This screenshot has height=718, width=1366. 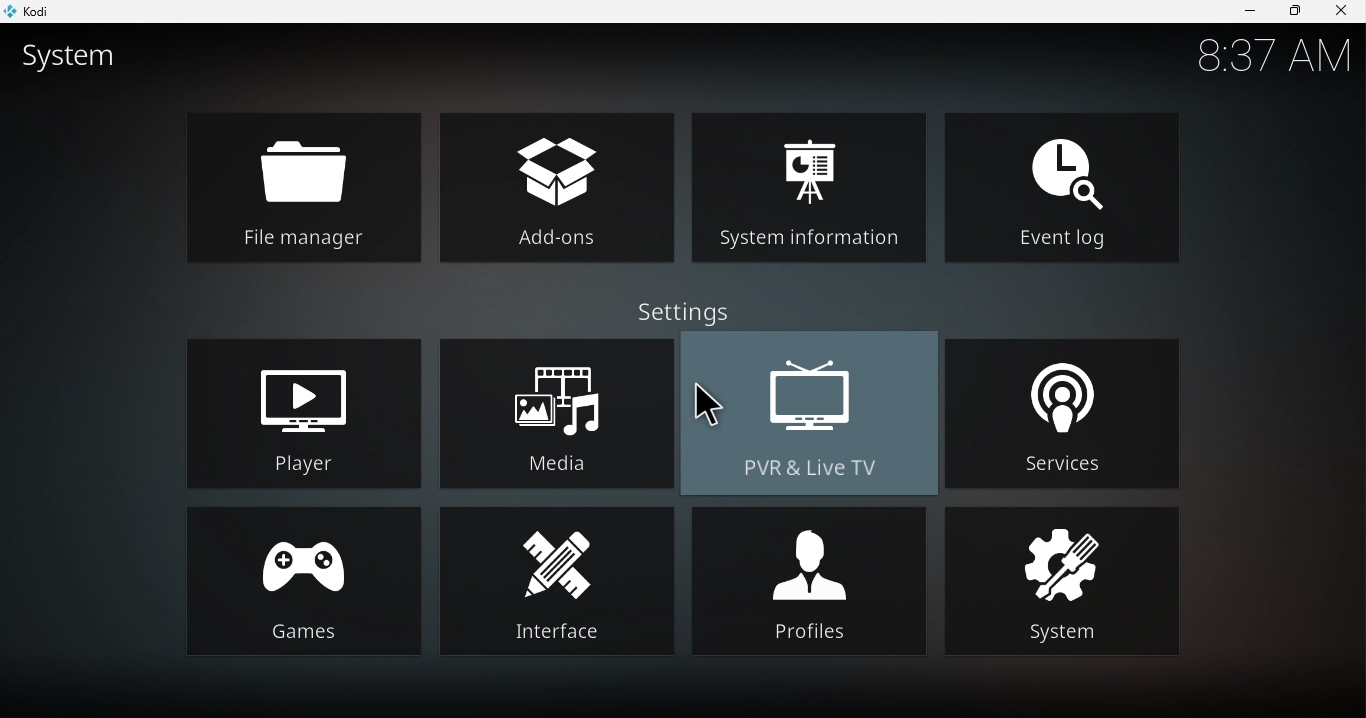 What do you see at coordinates (1067, 411) in the screenshot?
I see `Services` at bounding box center [1067, 411].